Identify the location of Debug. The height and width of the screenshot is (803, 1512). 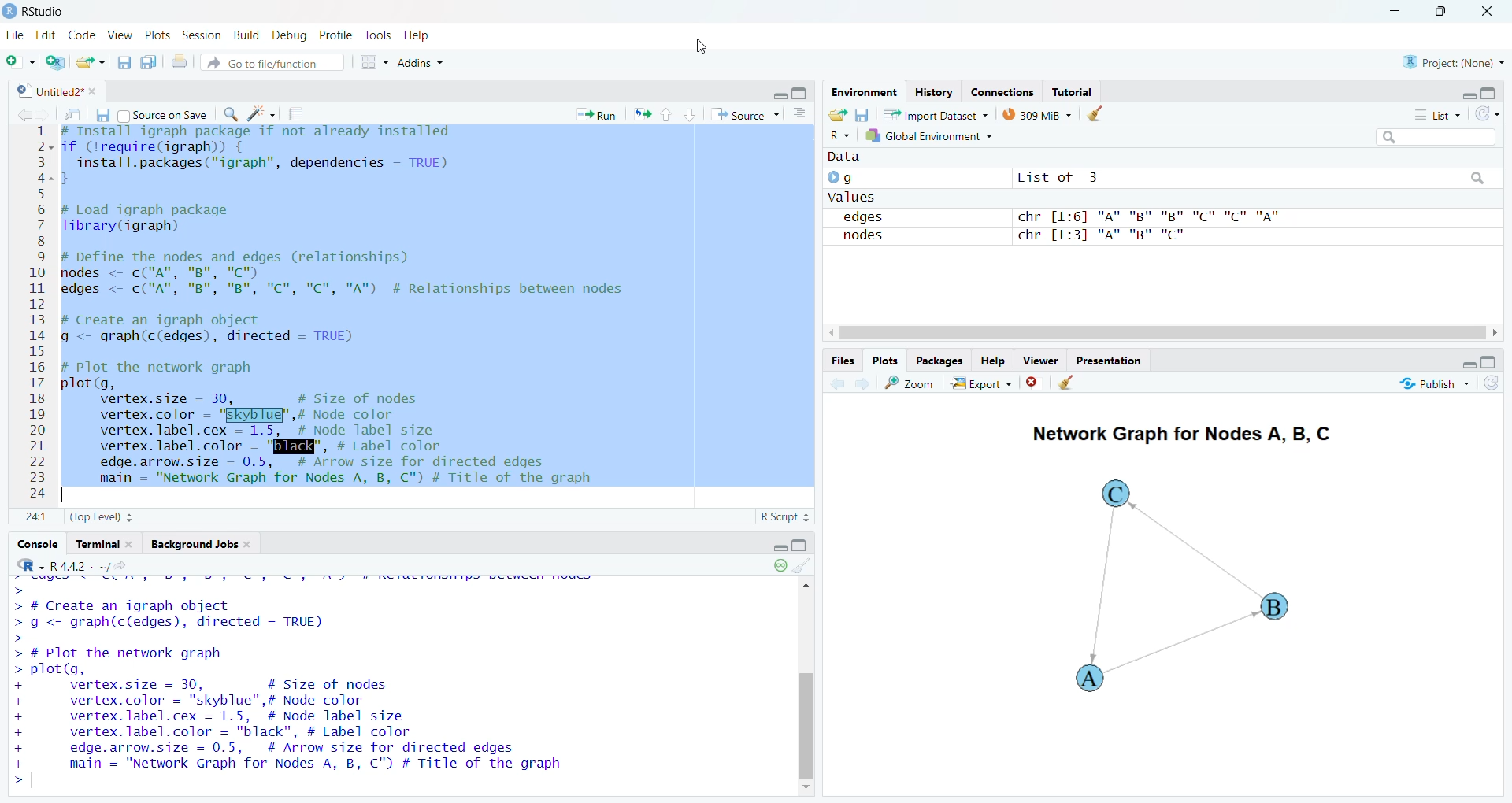
(287, 38).